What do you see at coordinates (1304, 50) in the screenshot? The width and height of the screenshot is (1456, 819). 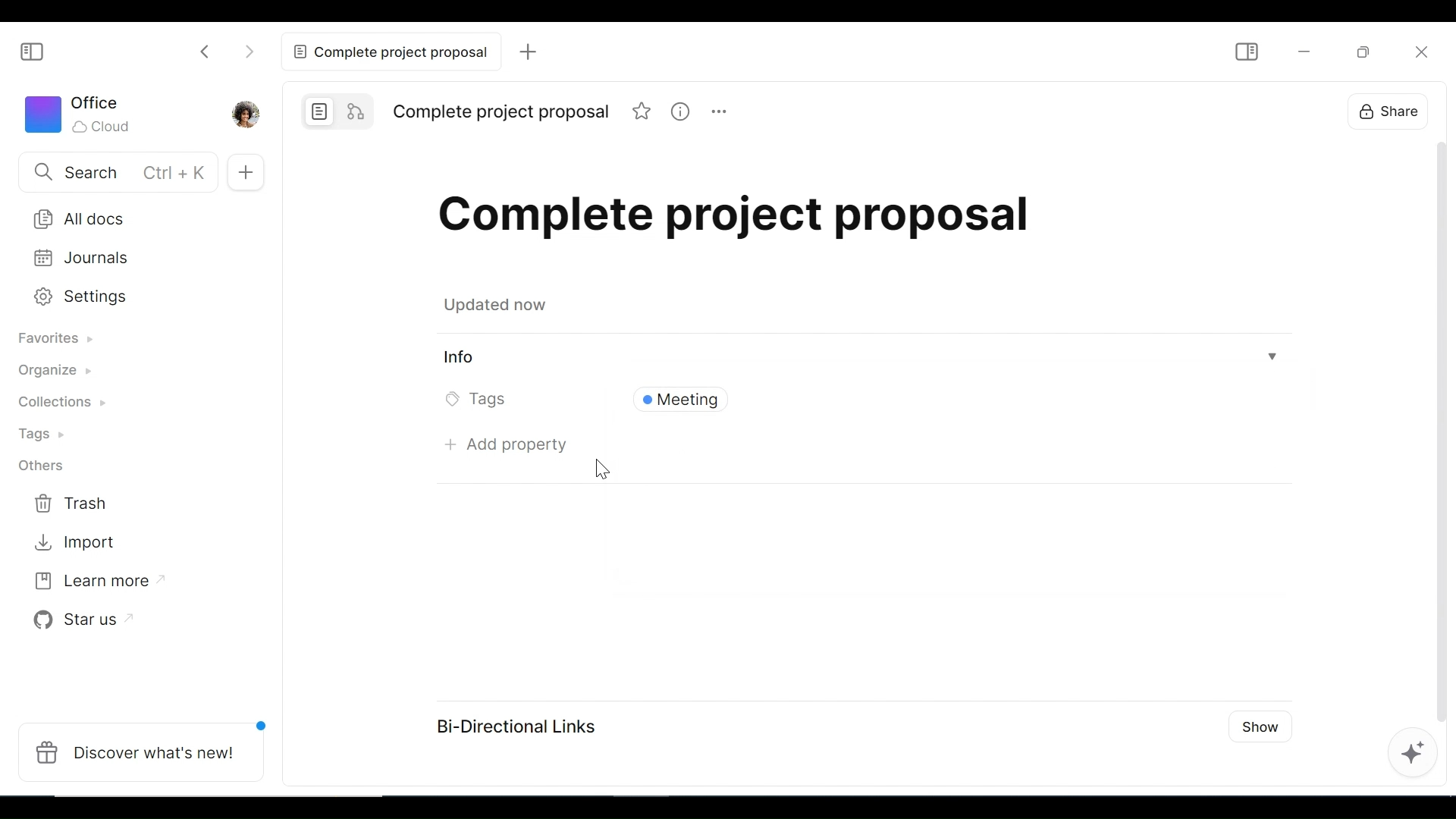 I see `minimize` at bounding box center [1304, 50].